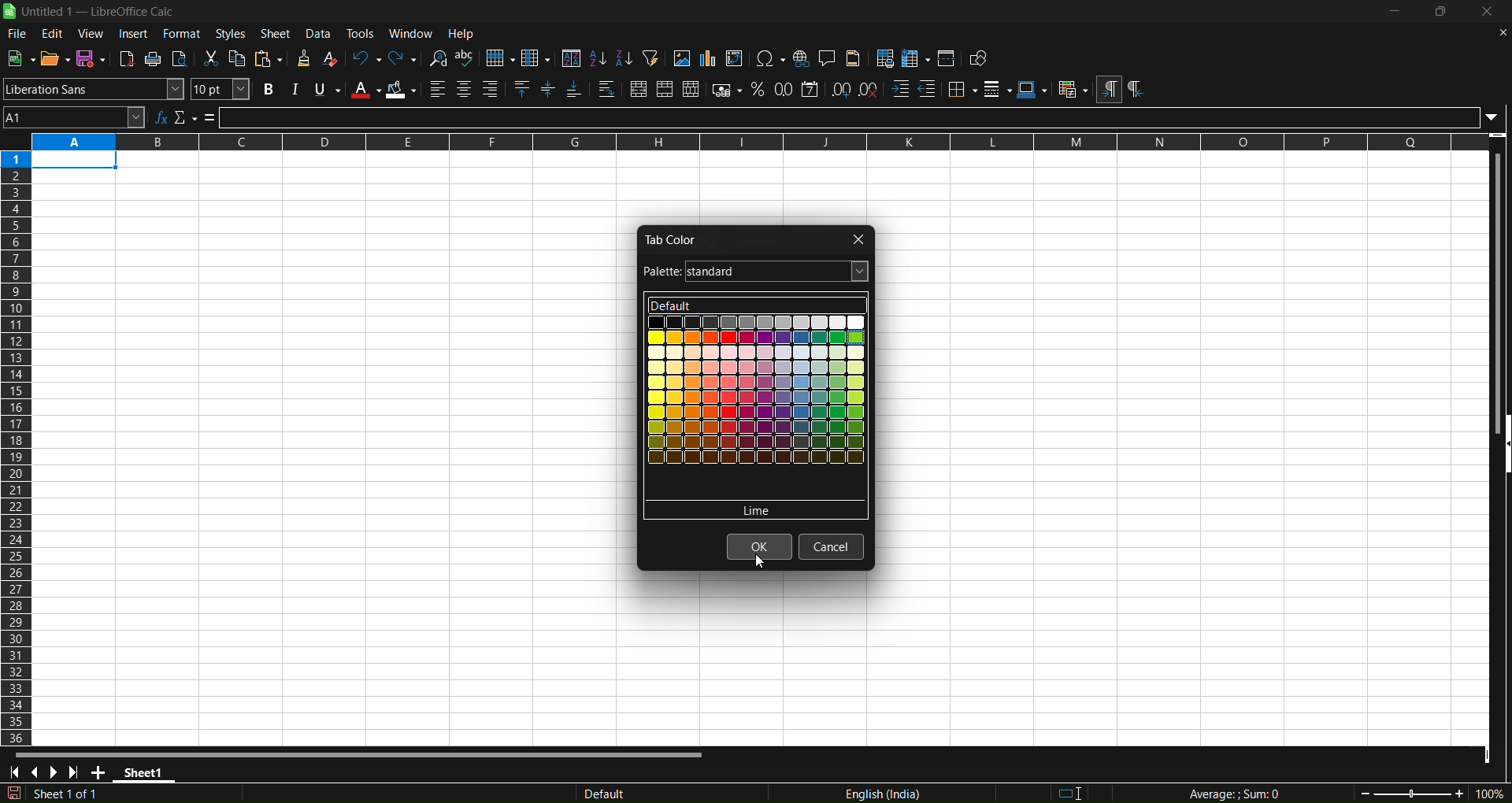  What do you see at coordinates (465, 34) in the screenshot?
I see `help` at bounding box center [465, 34].